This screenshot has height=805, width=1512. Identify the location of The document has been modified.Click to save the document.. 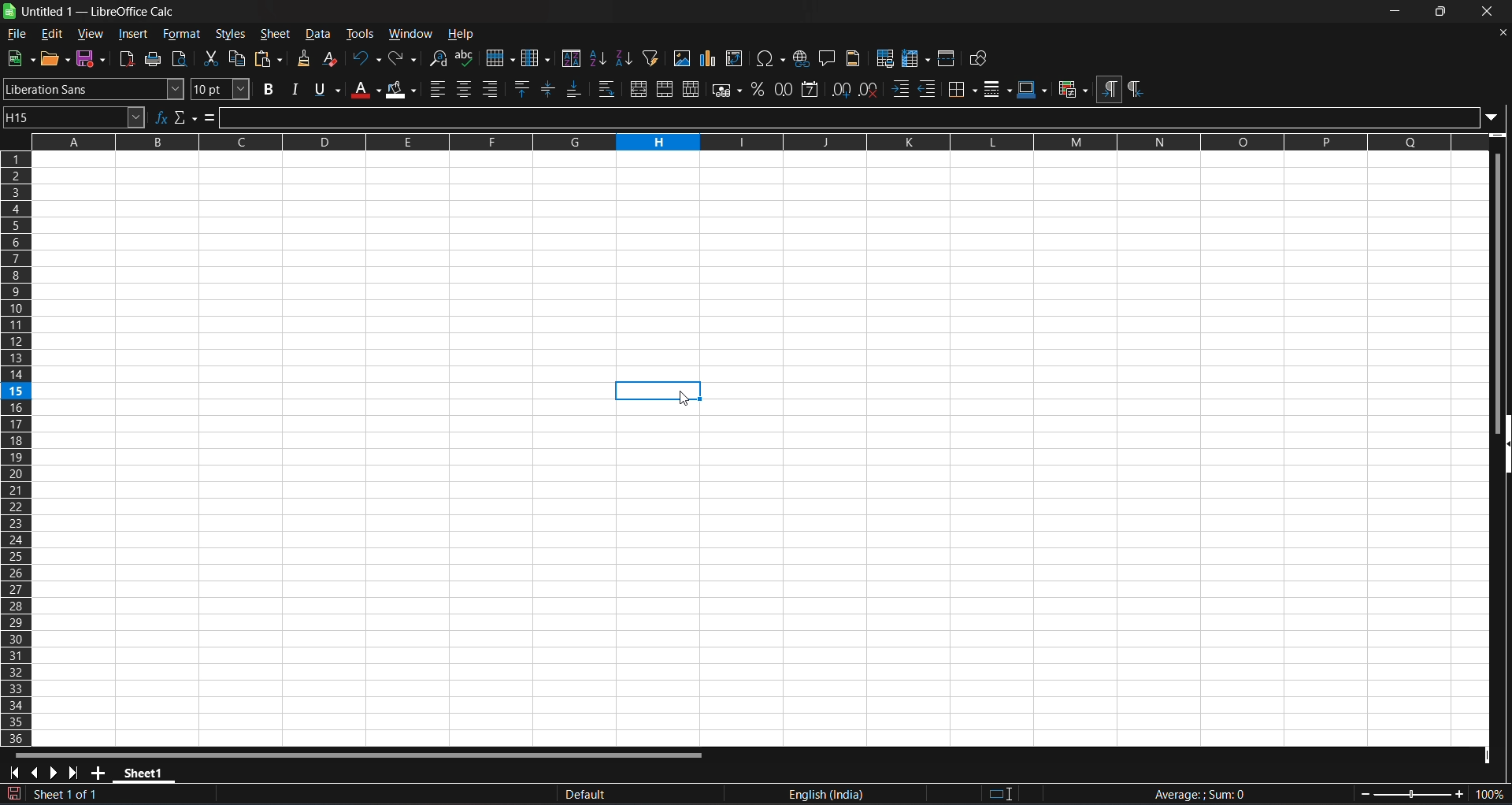
(240, 798).